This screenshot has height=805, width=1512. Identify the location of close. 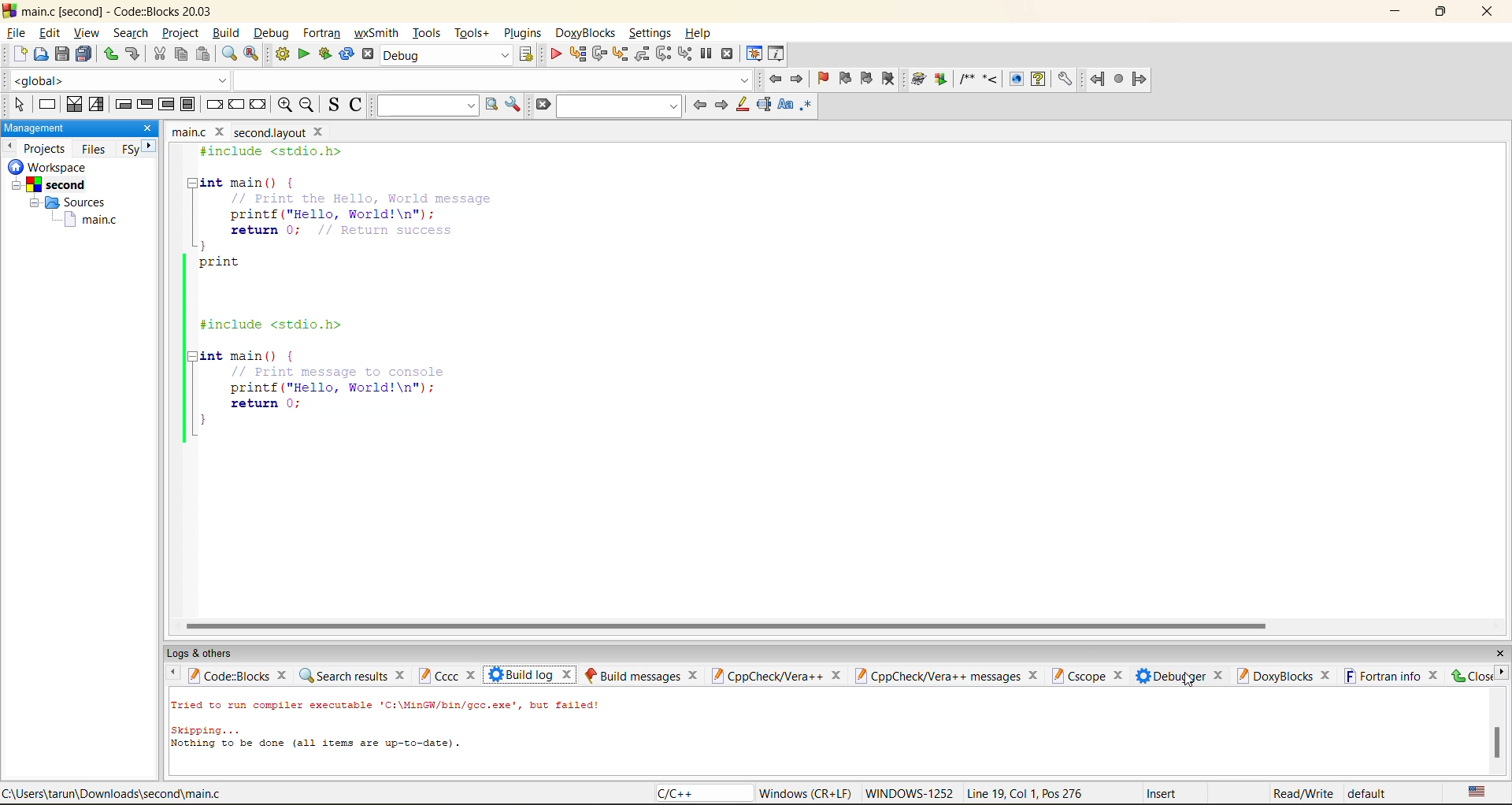
(1499, 649).